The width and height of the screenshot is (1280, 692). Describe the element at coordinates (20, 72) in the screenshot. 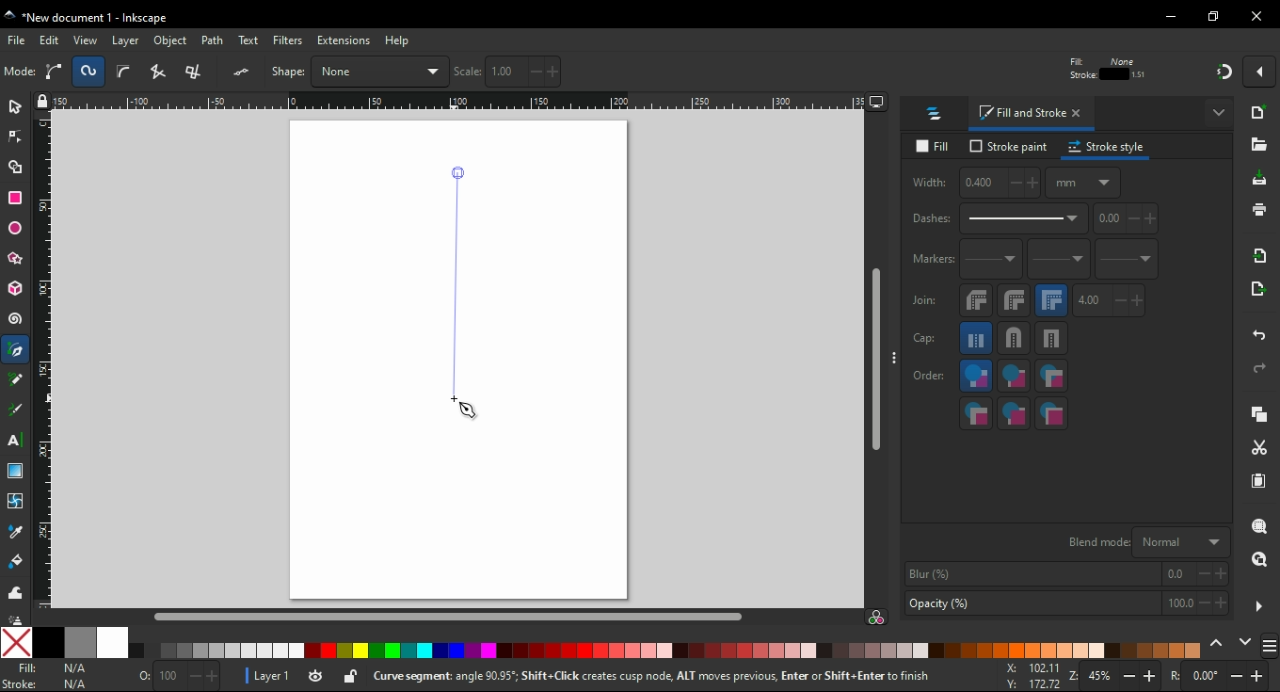

I see `select all` at that location.